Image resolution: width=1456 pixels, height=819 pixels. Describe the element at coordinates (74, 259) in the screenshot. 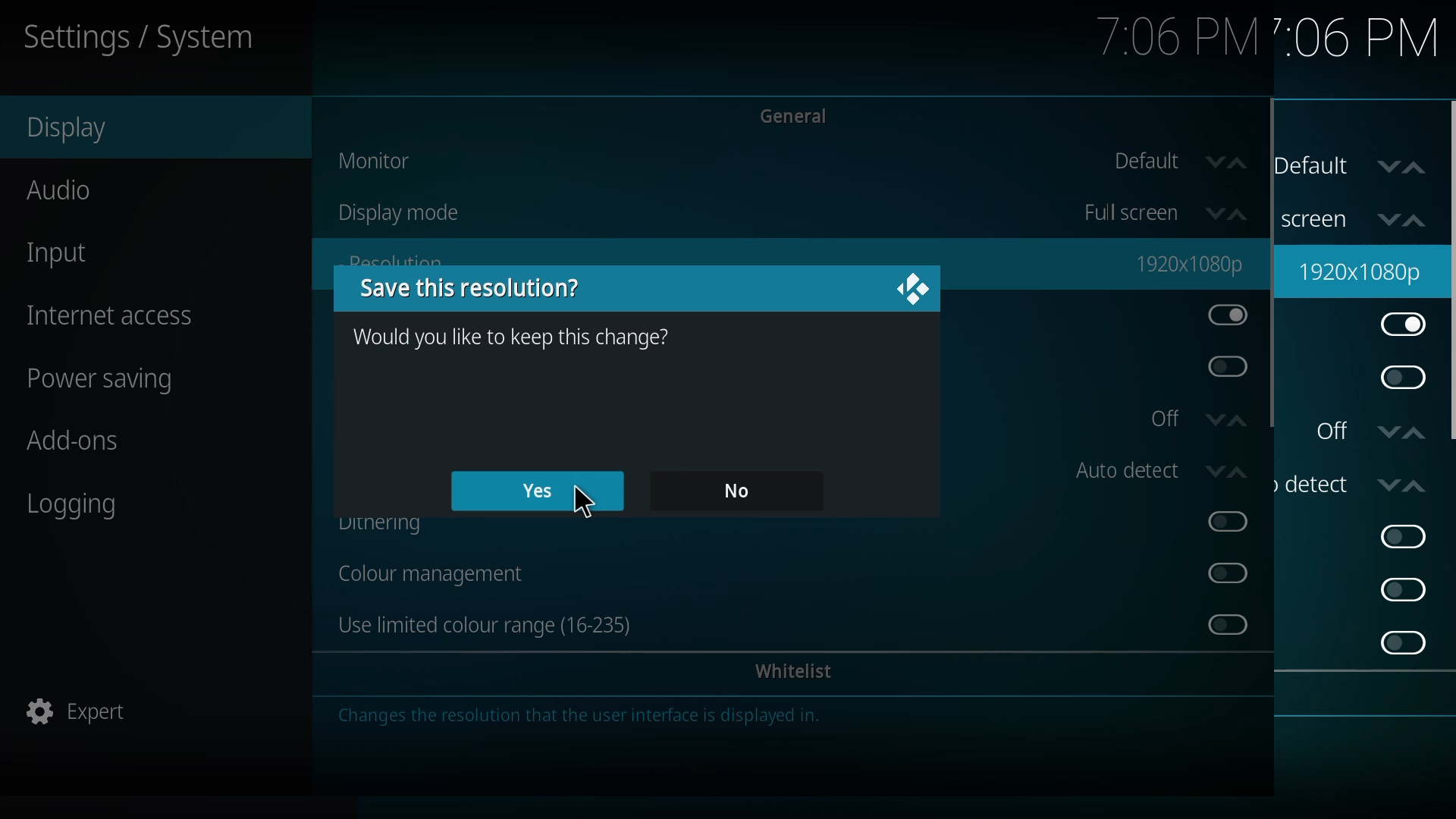

I see `input` at that location.